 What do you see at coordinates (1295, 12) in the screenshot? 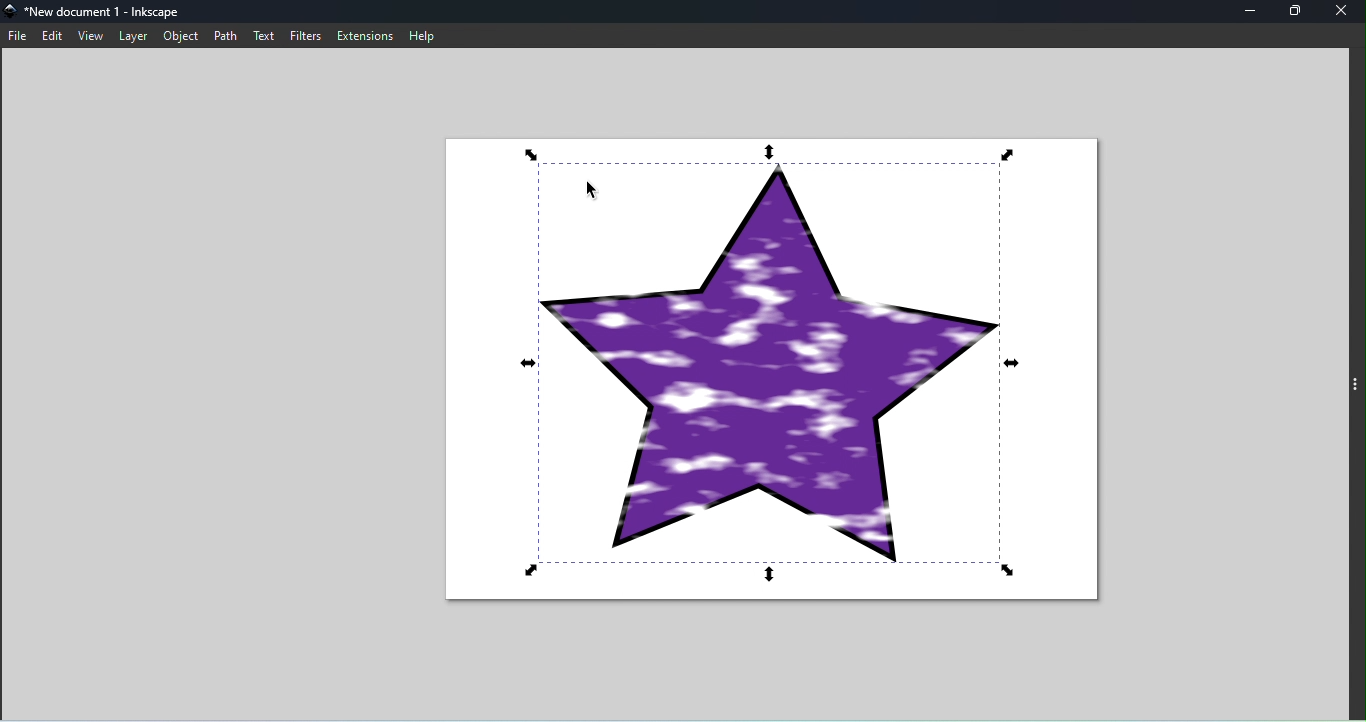
I see `maximize` at bounding box center [1295, 12].